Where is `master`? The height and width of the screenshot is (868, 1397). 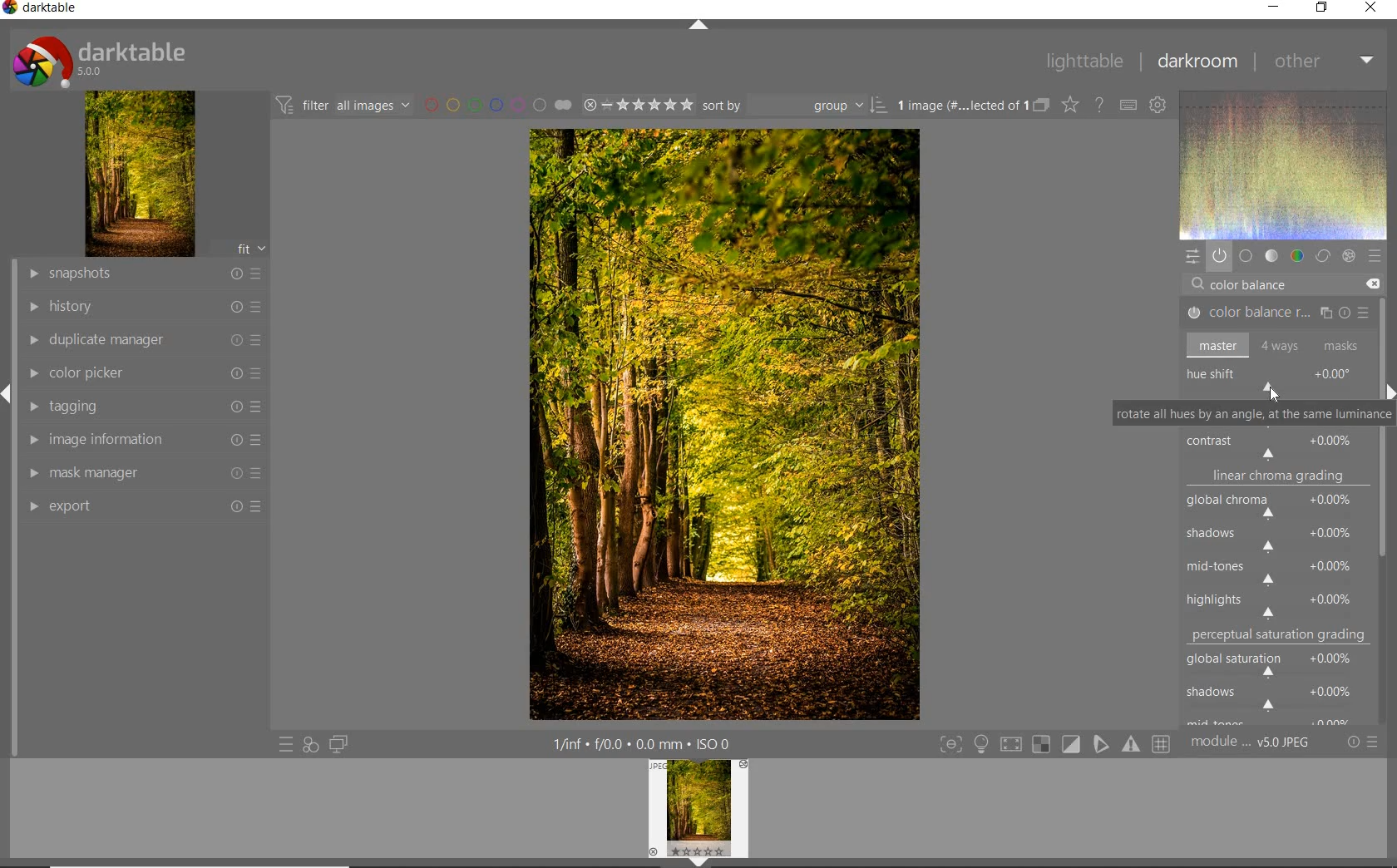 master is located at coordinates (1274, 345).